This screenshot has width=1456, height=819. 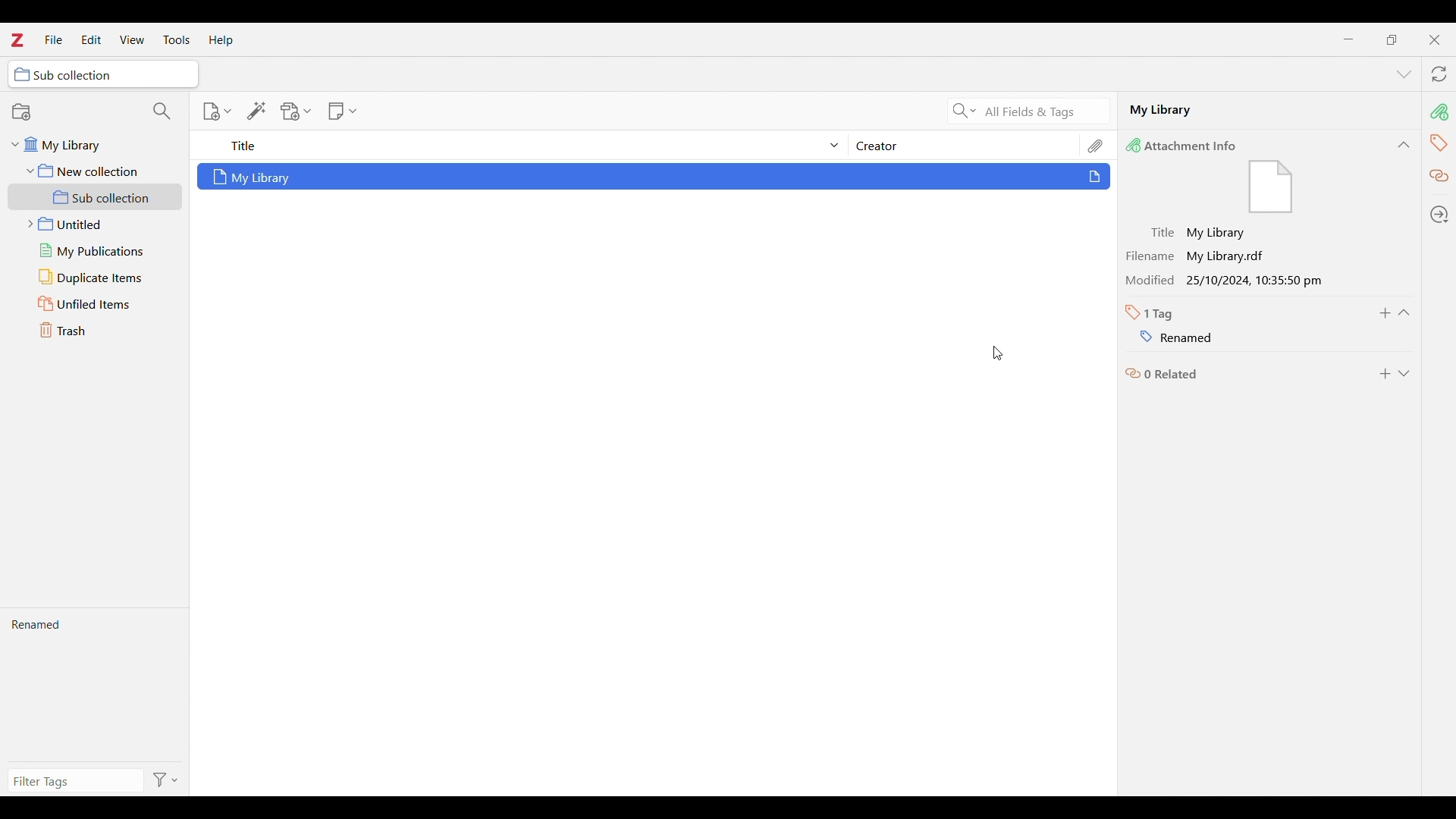 What do you see at coordinates (1439, 74) in the screenshot?
I see `Sync with zotero.org` at bounding box center [1439, 74].